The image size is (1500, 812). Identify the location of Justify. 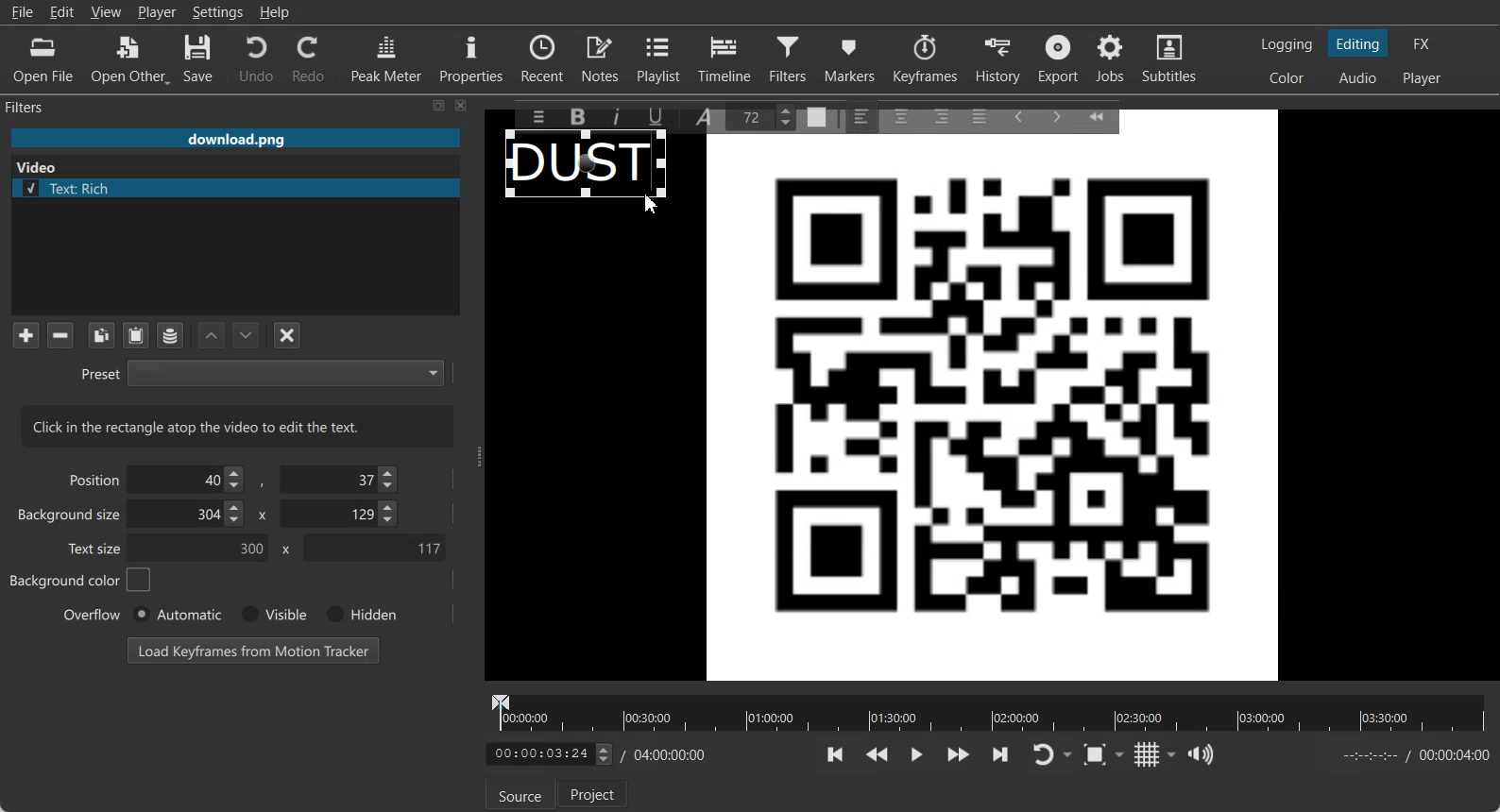
(980, 113).